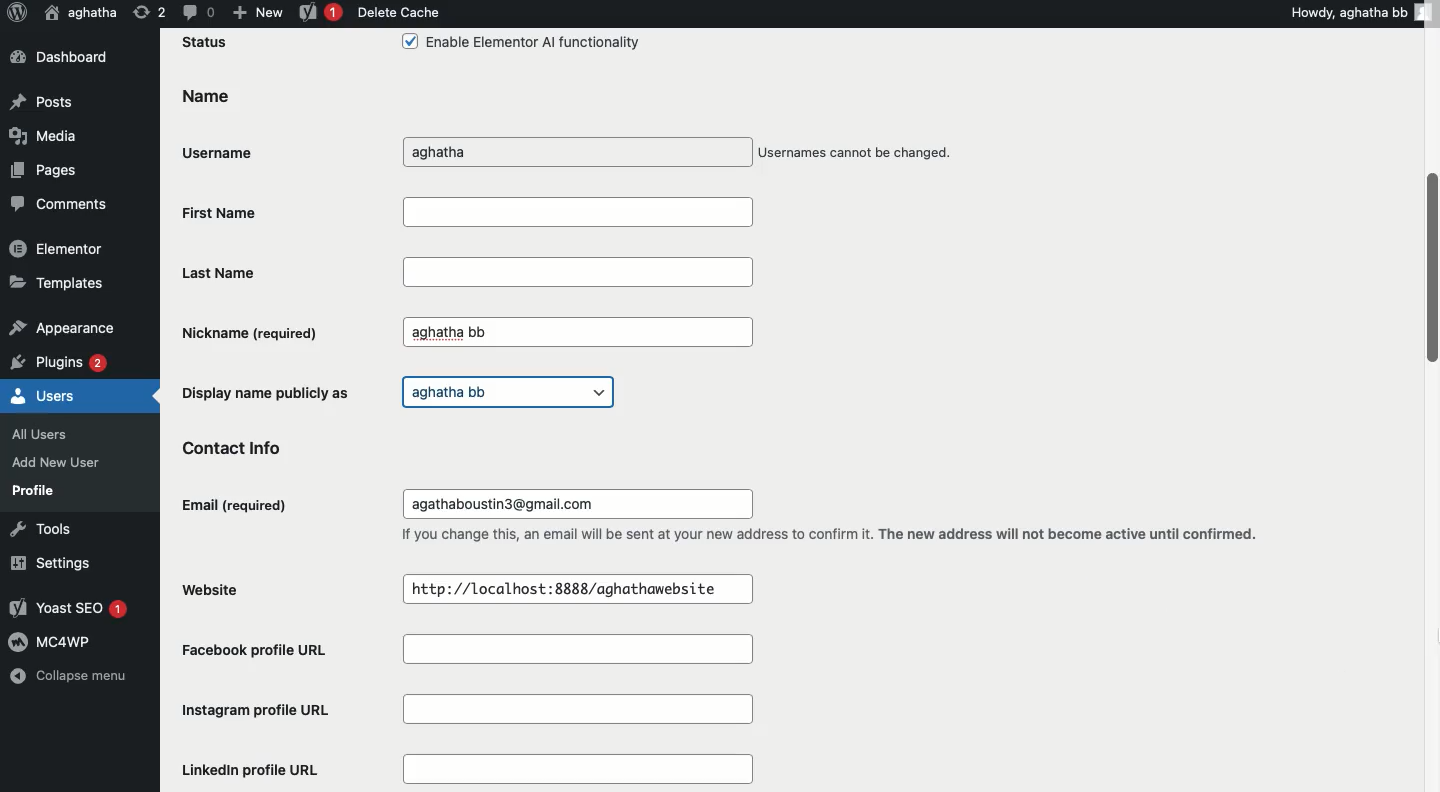  I want to click on Users, so click(44, 394).